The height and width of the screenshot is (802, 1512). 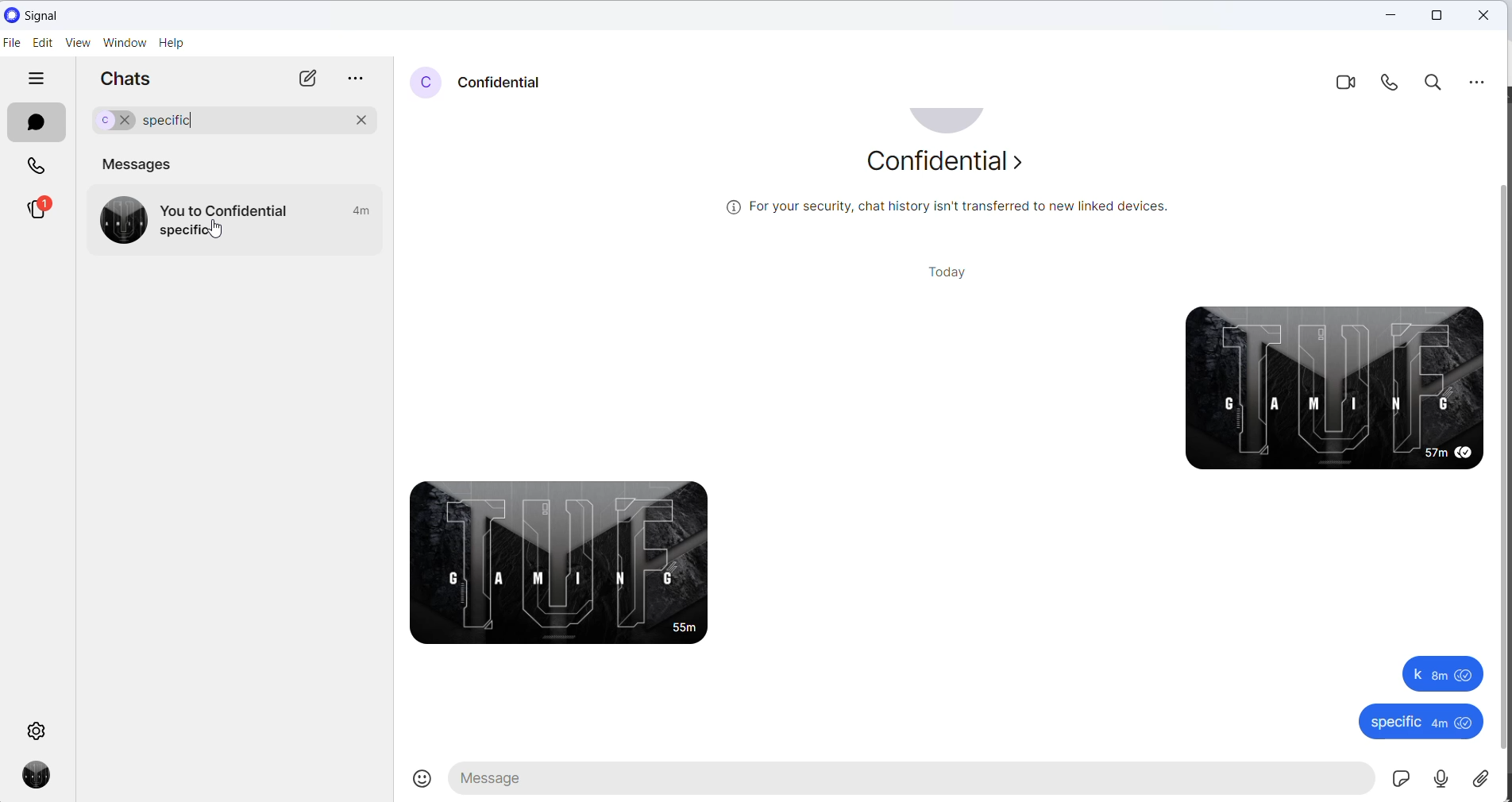 What do you see at coordinates (1439, 16) in the screenshot?
I see `maximize` at bounding box center [1439, 16].